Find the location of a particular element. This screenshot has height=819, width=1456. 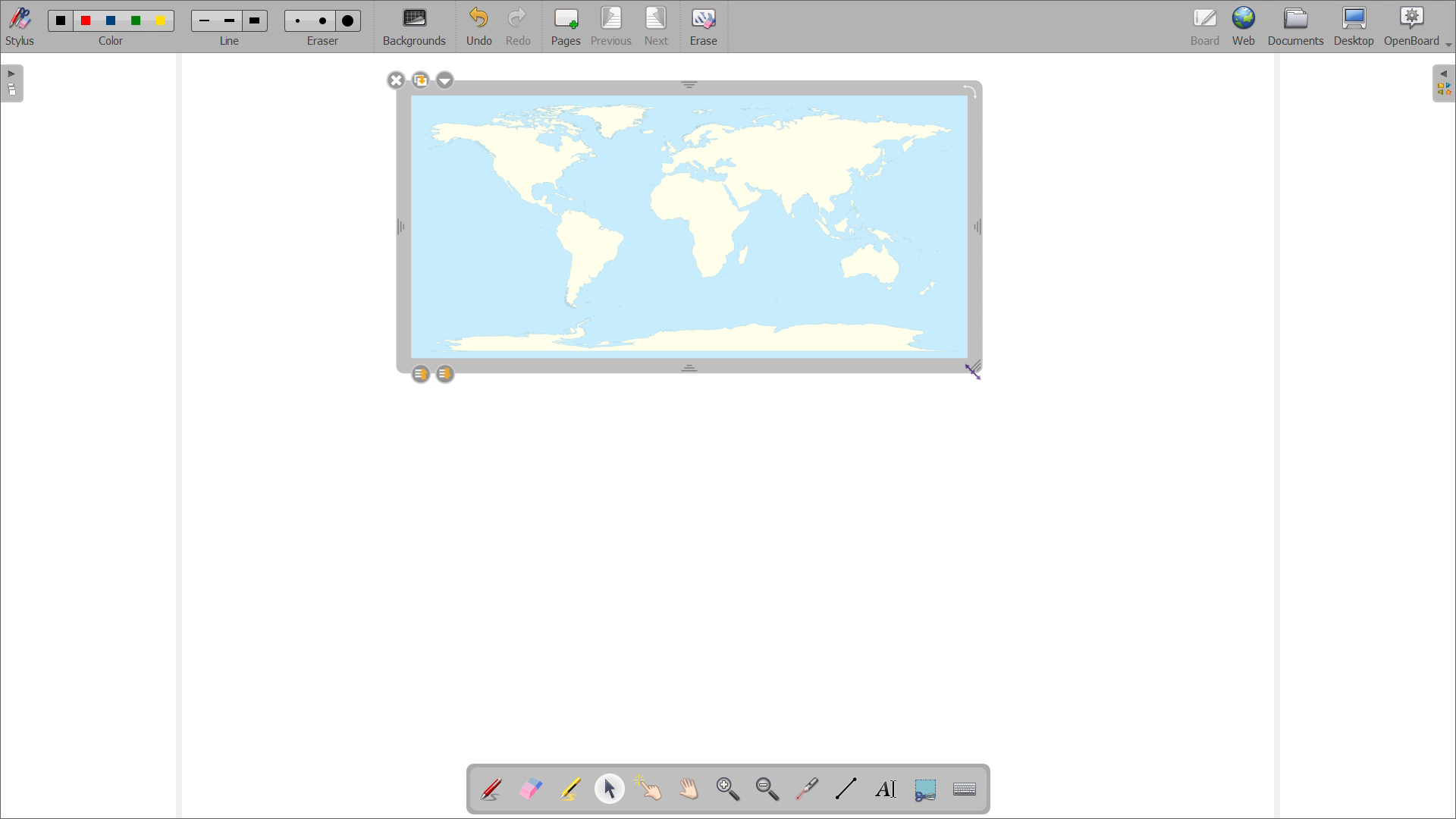

small is located at coordinates (298, 21).